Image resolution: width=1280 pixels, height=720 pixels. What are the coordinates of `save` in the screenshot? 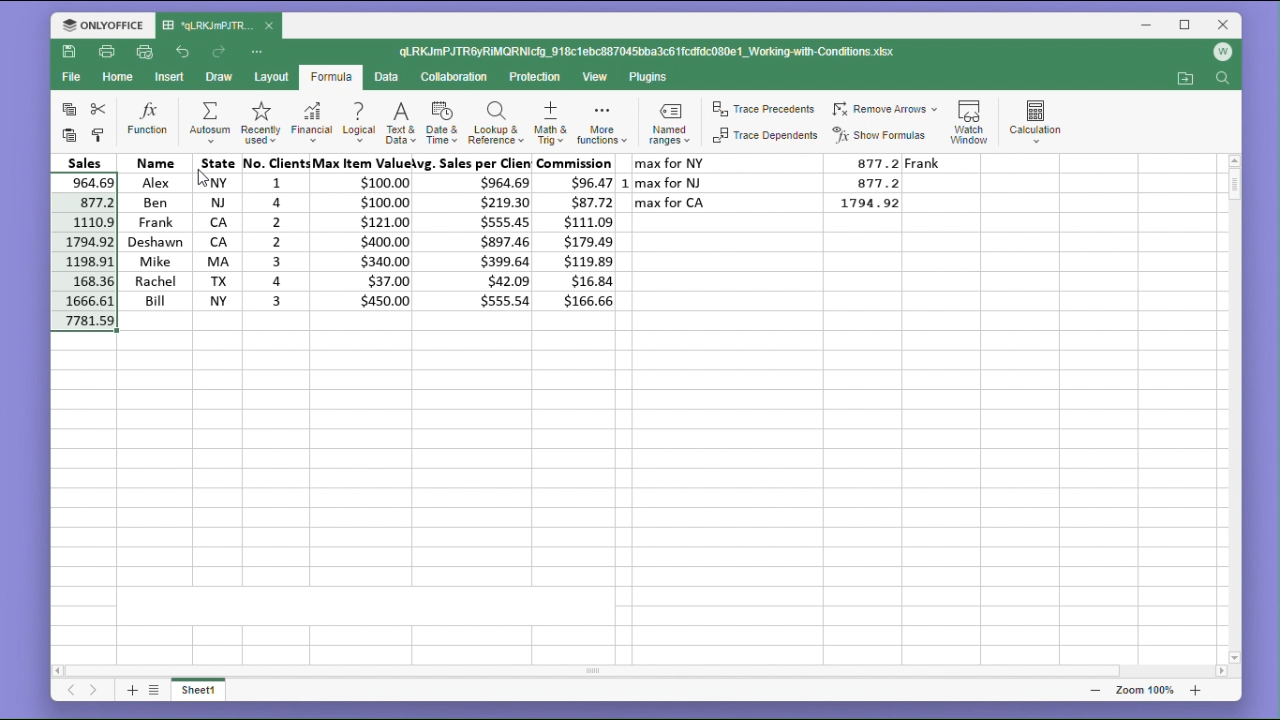 It's located at (70, 55).